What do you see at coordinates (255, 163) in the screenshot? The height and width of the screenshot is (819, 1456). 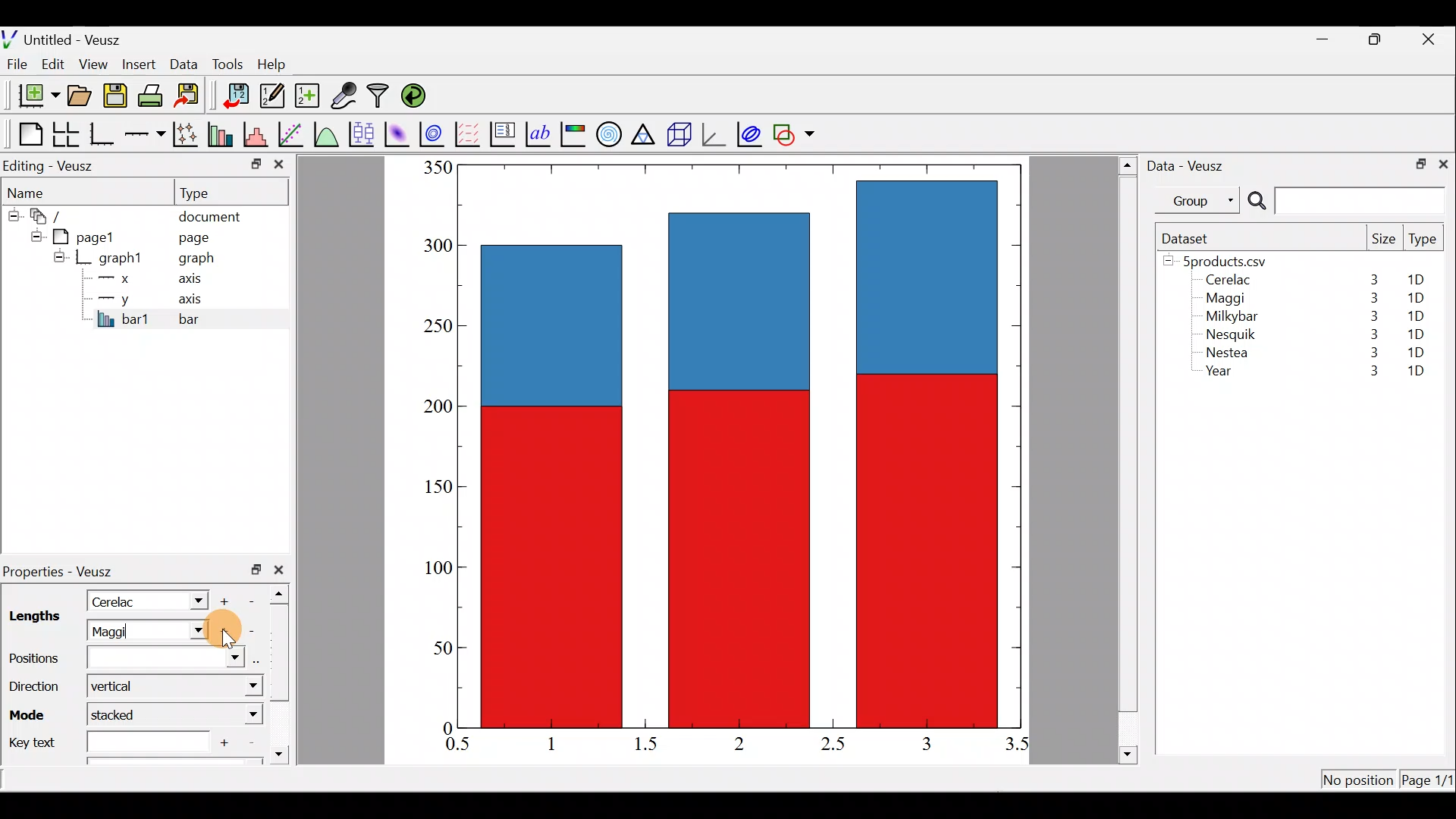 I see `minimize` at bounding box center [255, 163].